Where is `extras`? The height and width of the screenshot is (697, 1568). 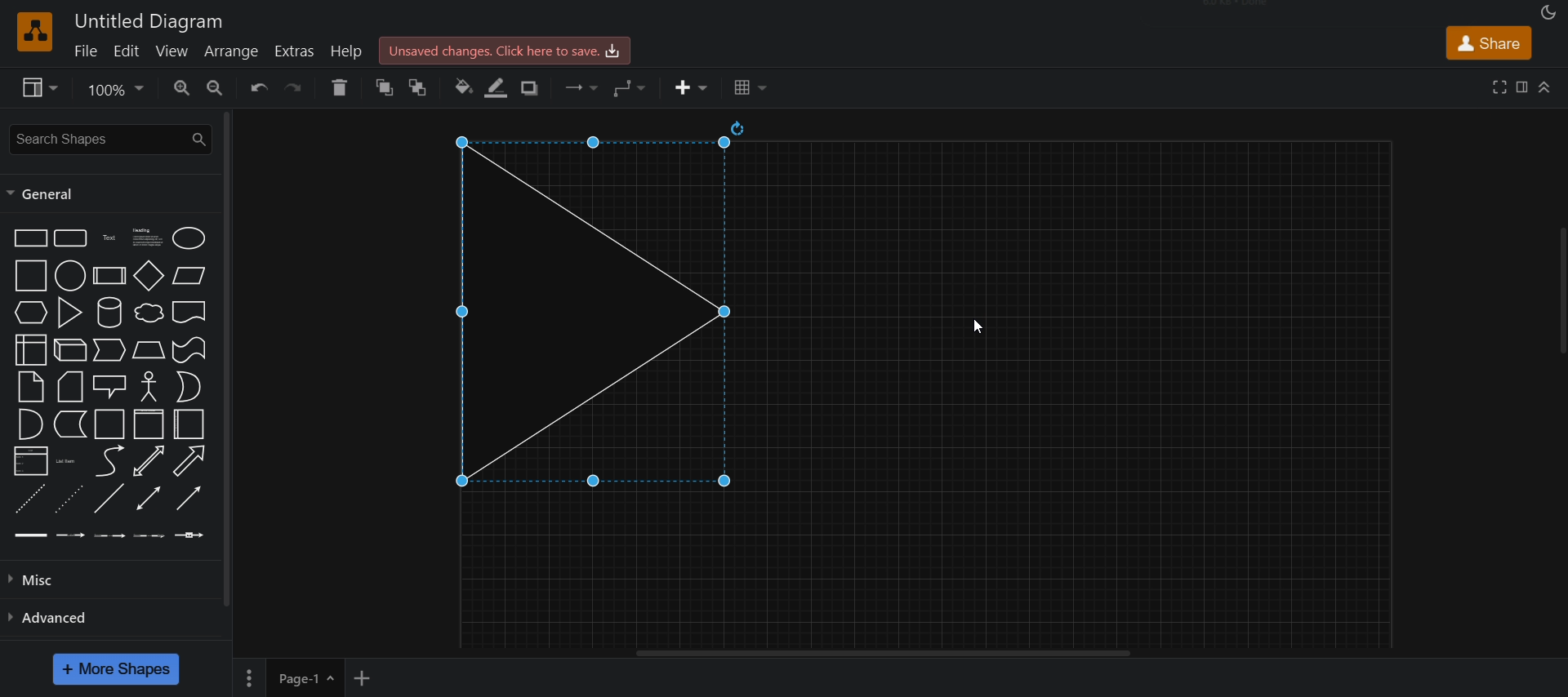 extras is located at coordinates (299, 51).